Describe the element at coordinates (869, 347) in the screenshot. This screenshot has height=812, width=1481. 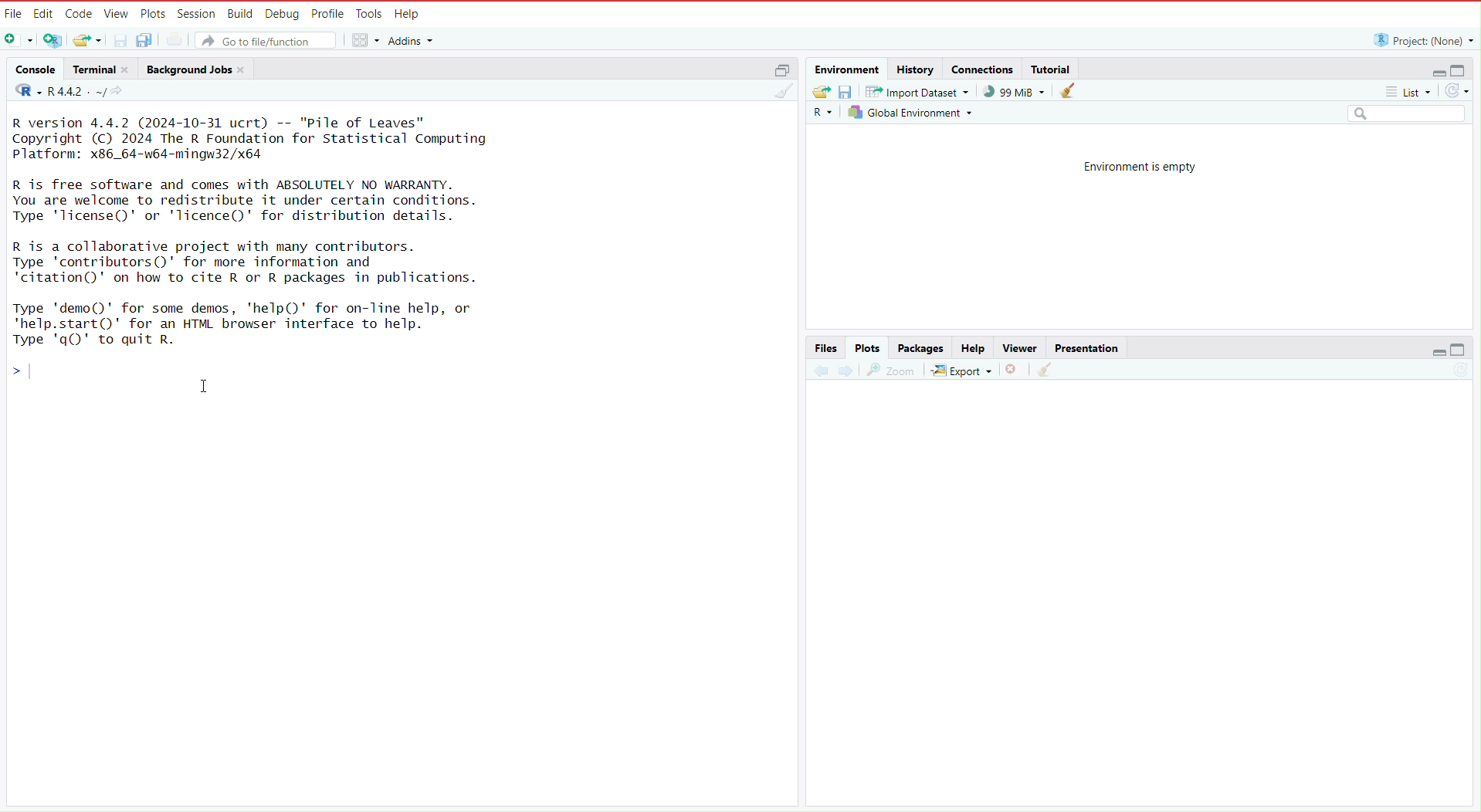
I see `plots` at that location.